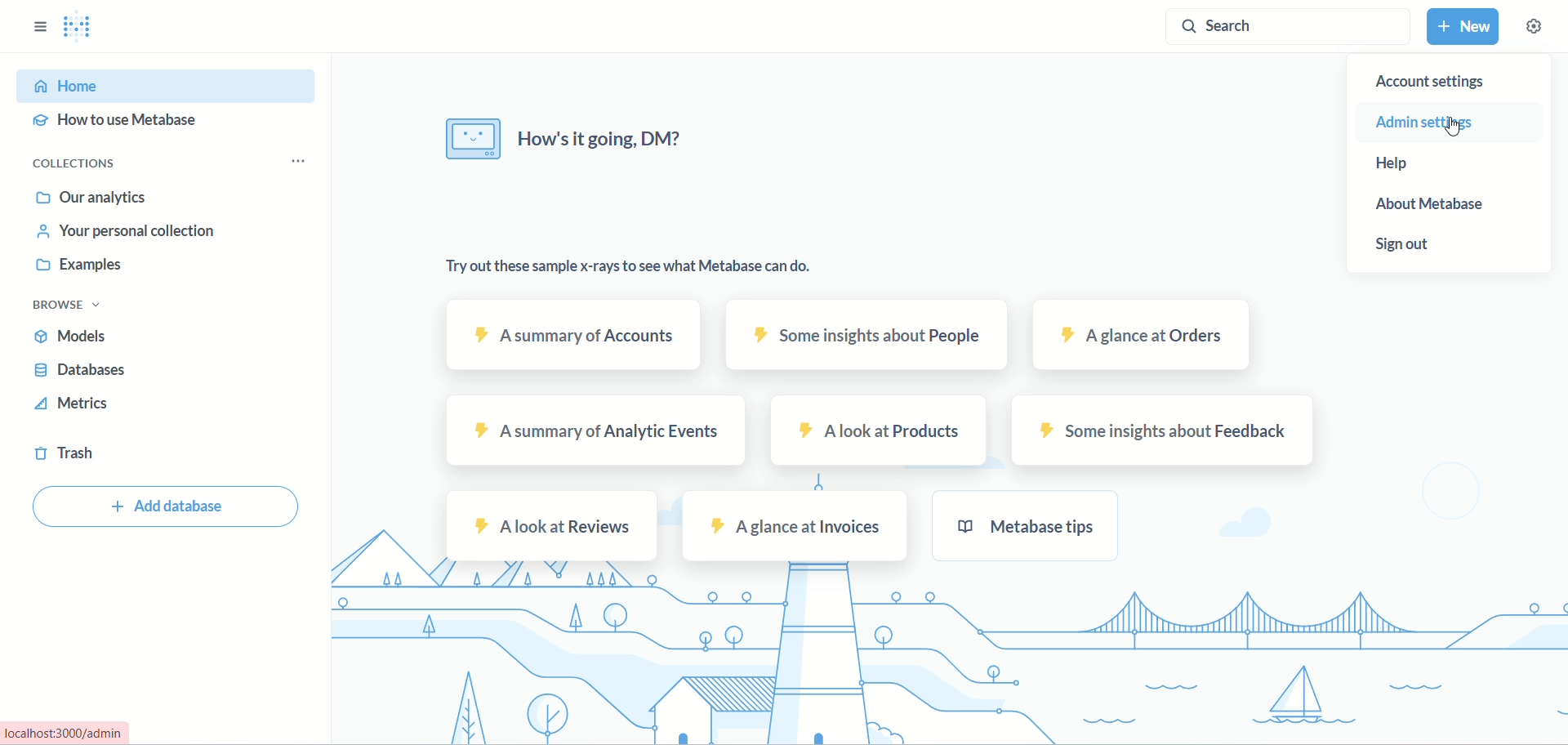  Describe the element at coordinates (1535, 26) in the screenshot. I see `settings` at that location.